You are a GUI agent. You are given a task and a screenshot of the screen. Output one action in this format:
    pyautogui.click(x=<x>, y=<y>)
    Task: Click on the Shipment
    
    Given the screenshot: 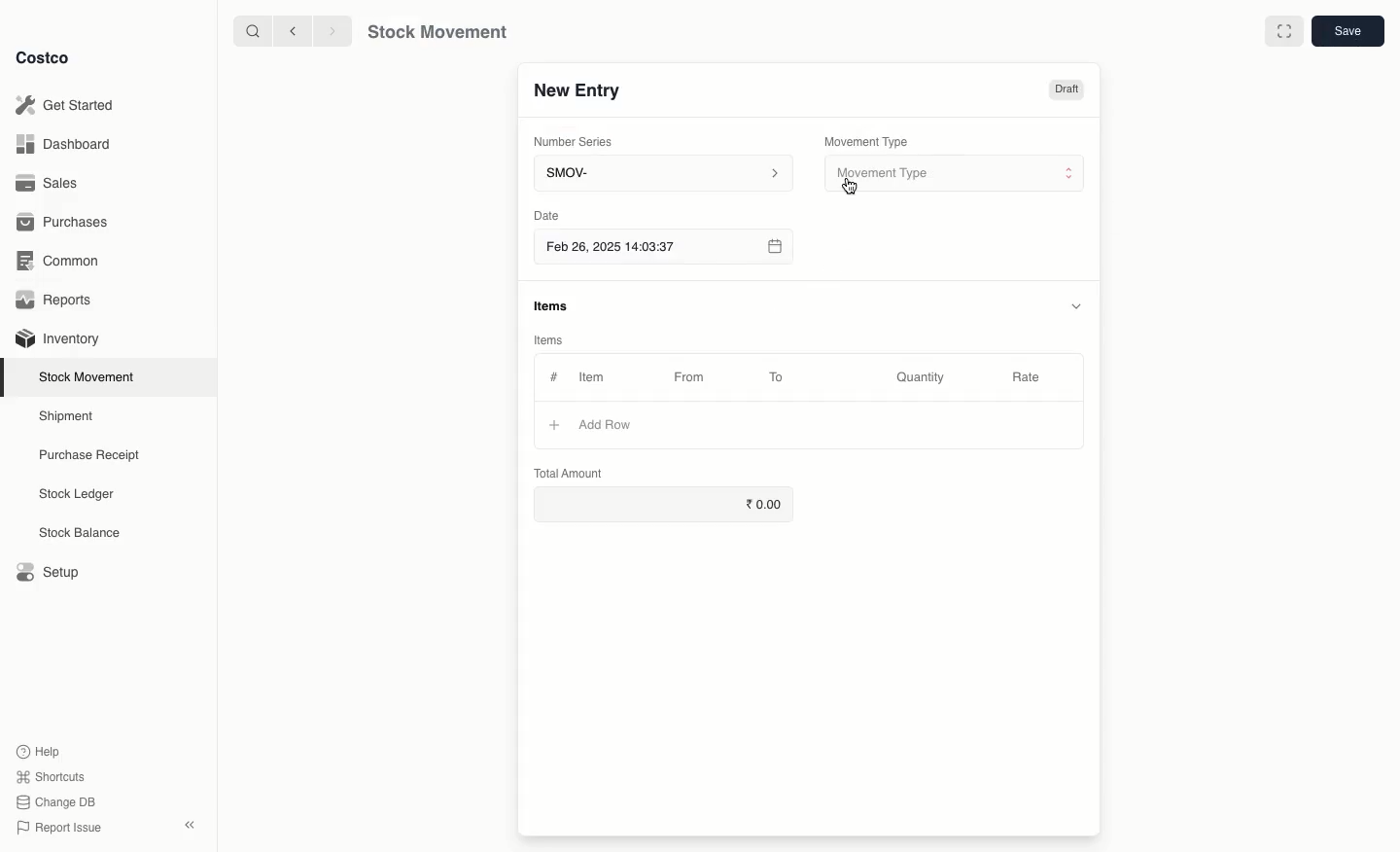 What is the action you would take?
    pyautogui.click(x=67, y=417)
    